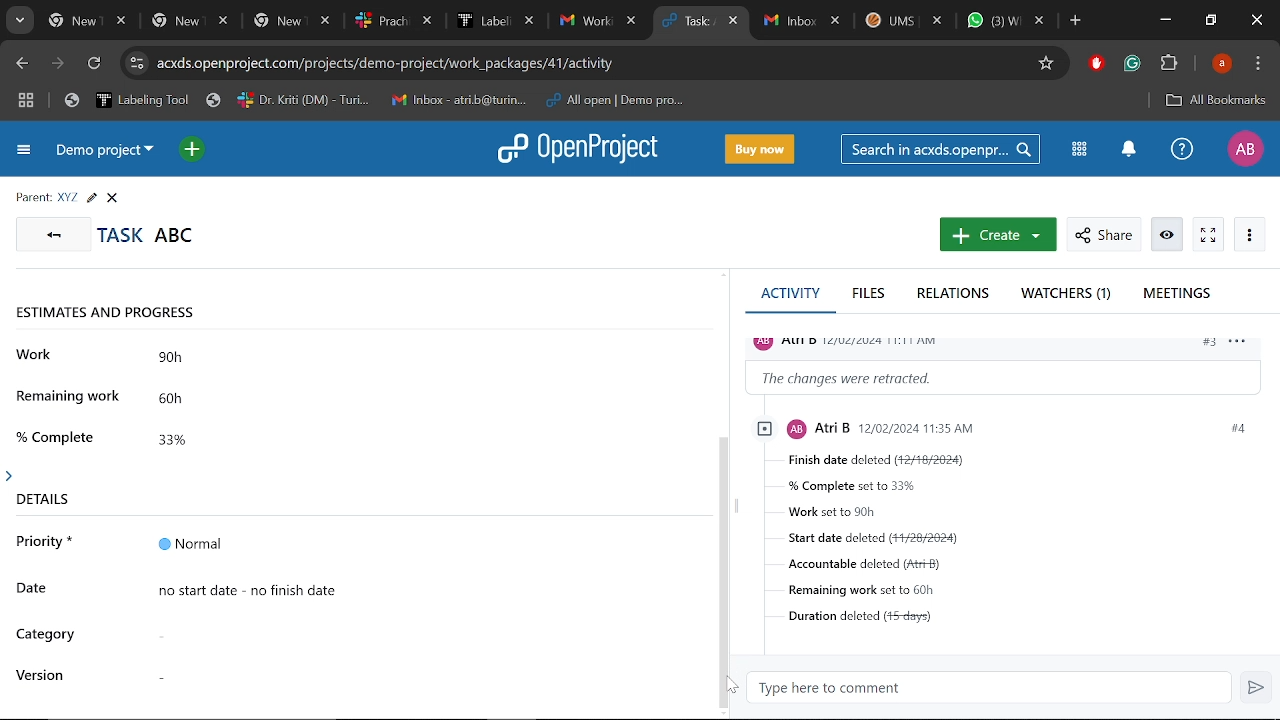  Describe the element at coordinates (38, 588) in the screenshot. I see `date` at that location.